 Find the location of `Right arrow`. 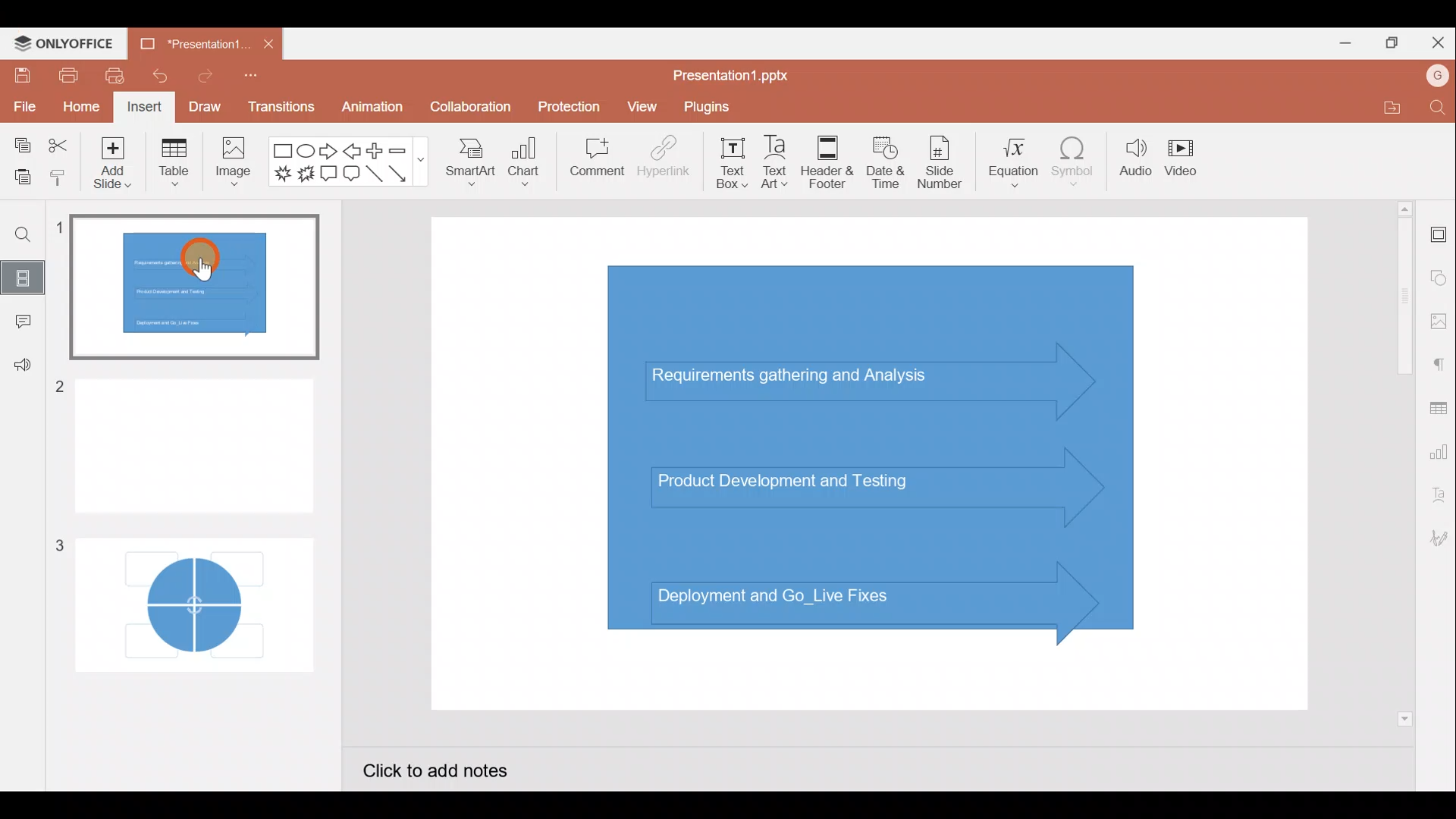

Right arrow is located at coordinates (329, 152).